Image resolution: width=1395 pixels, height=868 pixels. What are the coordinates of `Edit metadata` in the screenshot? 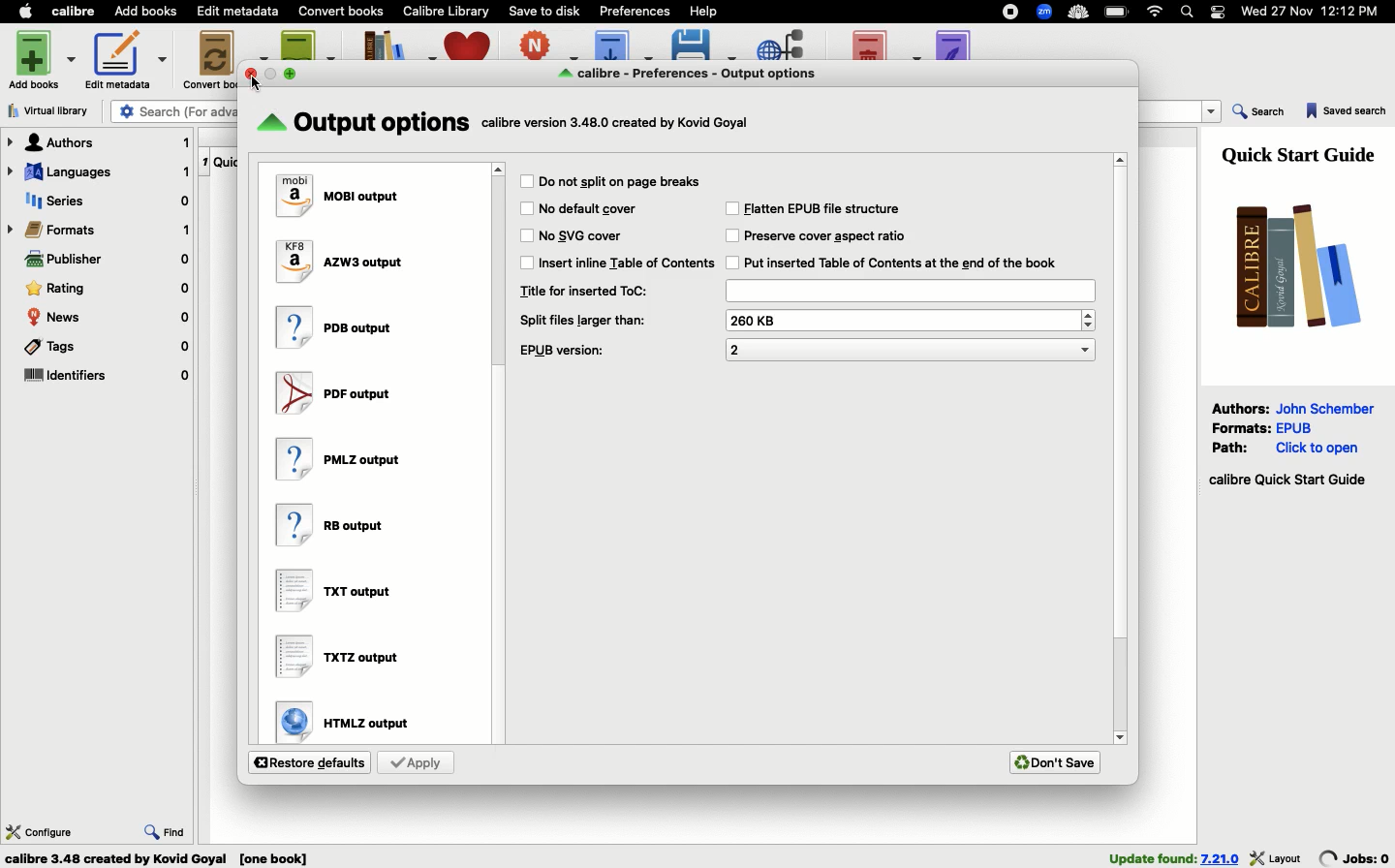 It's located at (126, 60).